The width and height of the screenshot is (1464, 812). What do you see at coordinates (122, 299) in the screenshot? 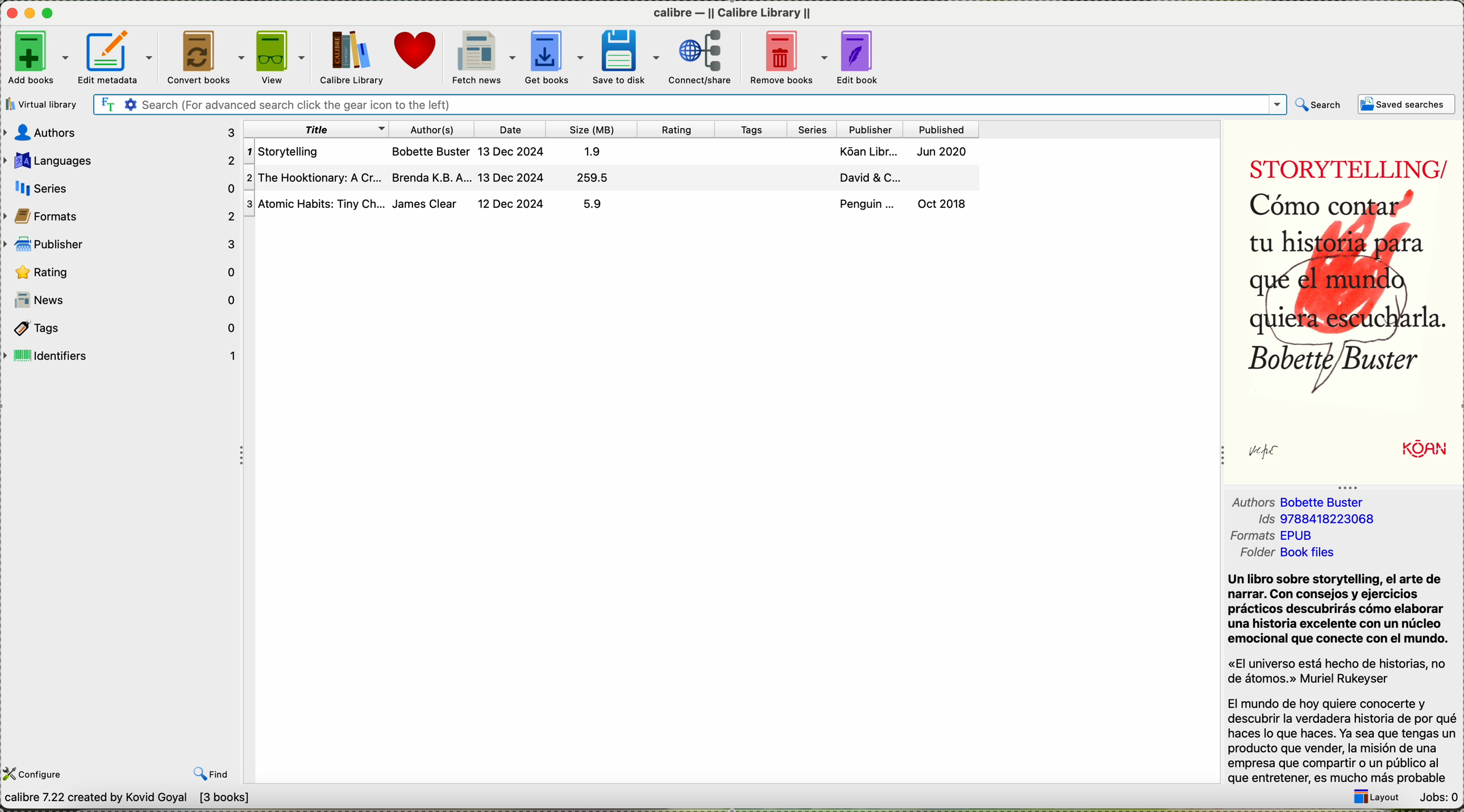
I see `news` at bounding box center [122, 299].